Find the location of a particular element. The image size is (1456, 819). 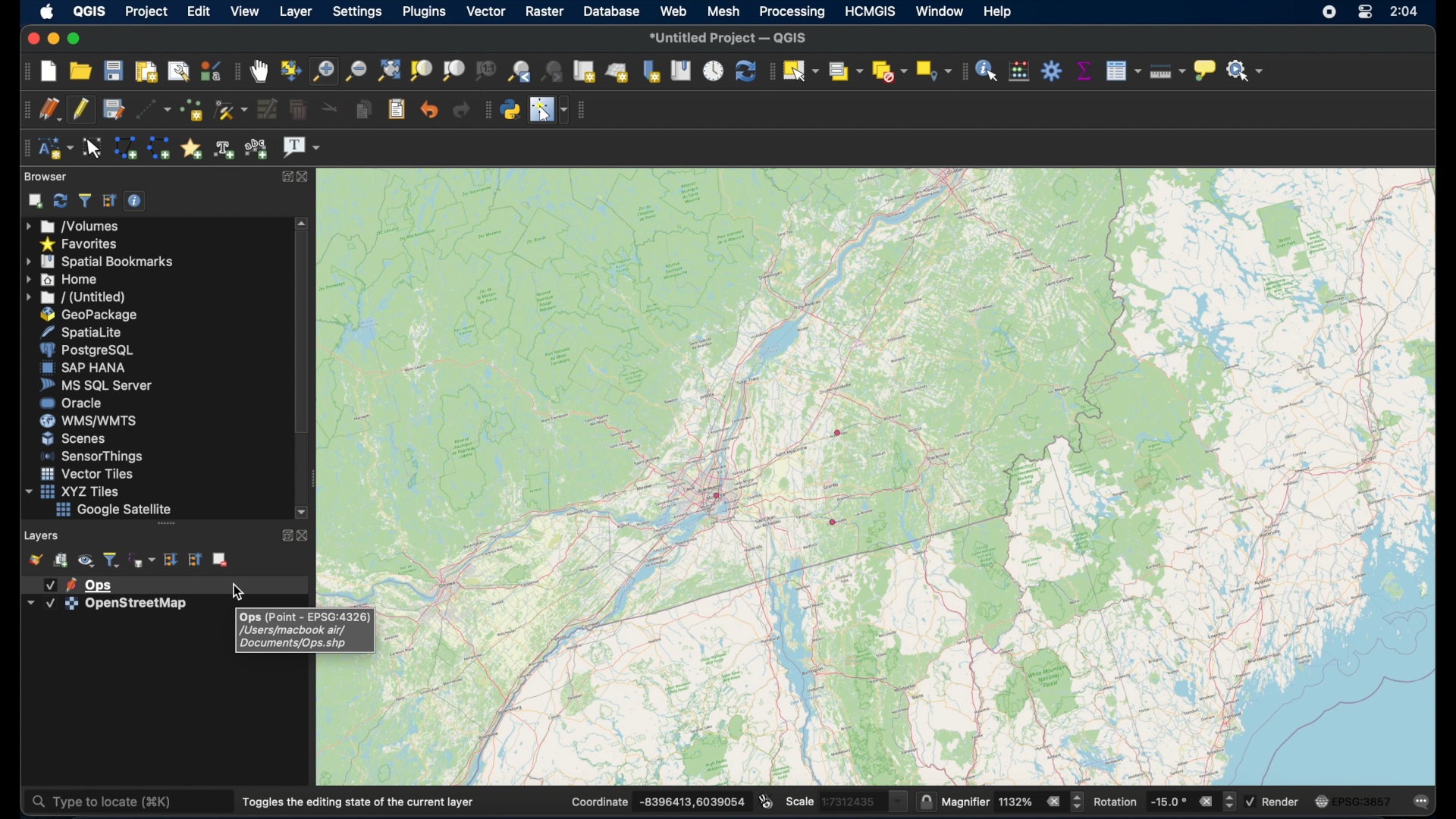

collapse all is located at coordinates (110, 201).